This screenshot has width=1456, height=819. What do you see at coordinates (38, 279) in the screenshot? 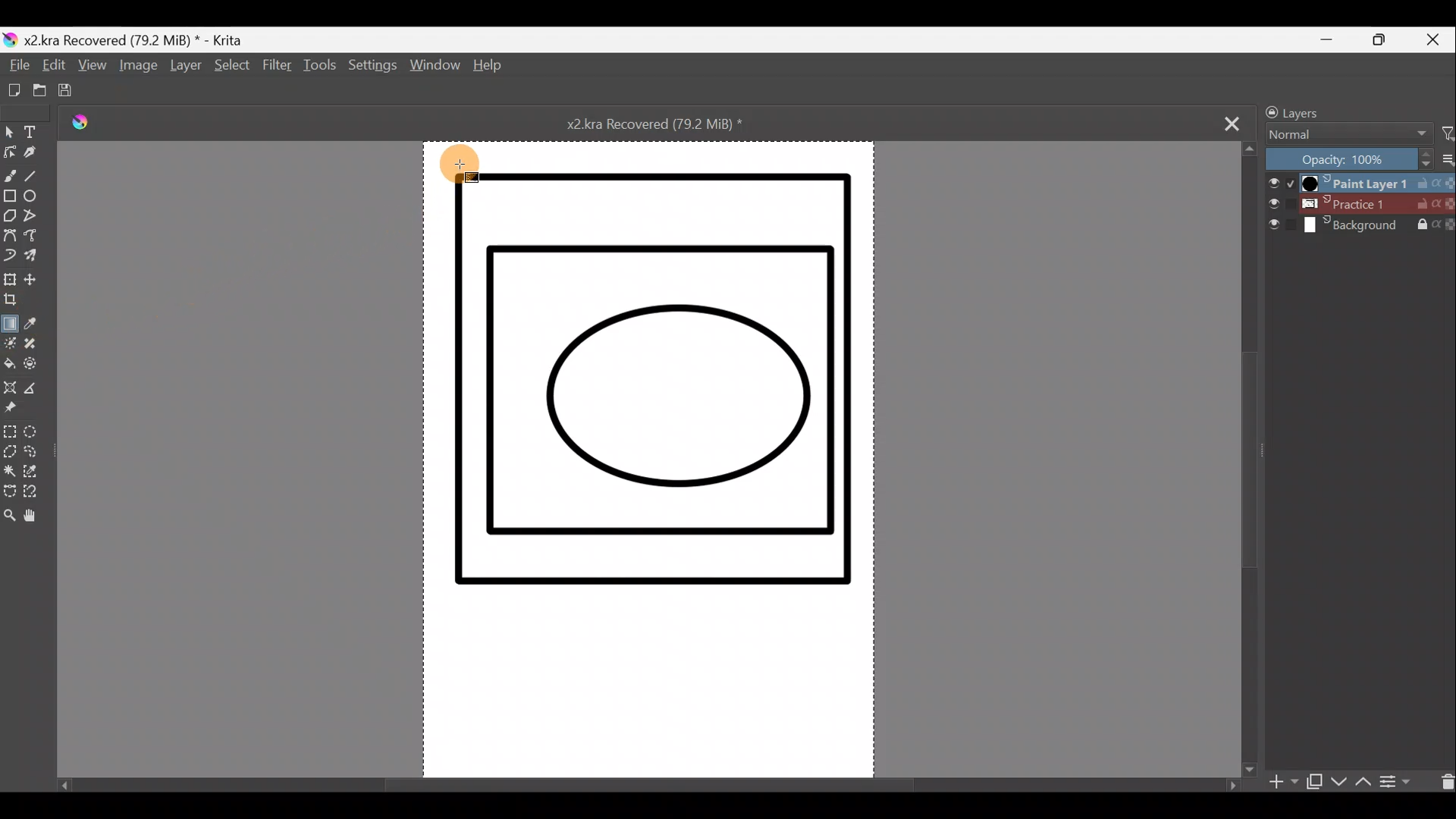
I see `Move a layer` at bounding box center [38, 279].